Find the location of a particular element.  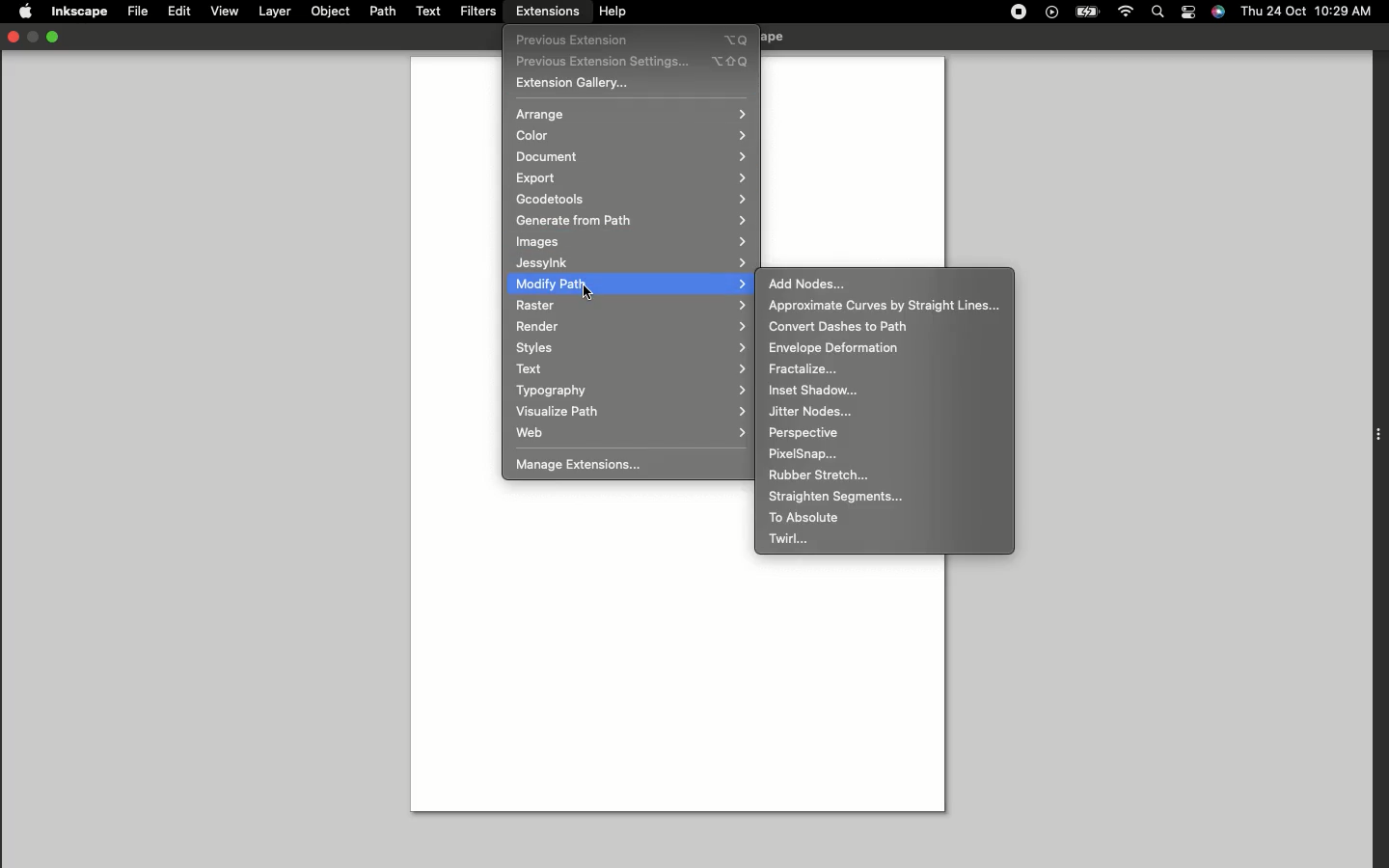

View is located at coordinates (229, 12).